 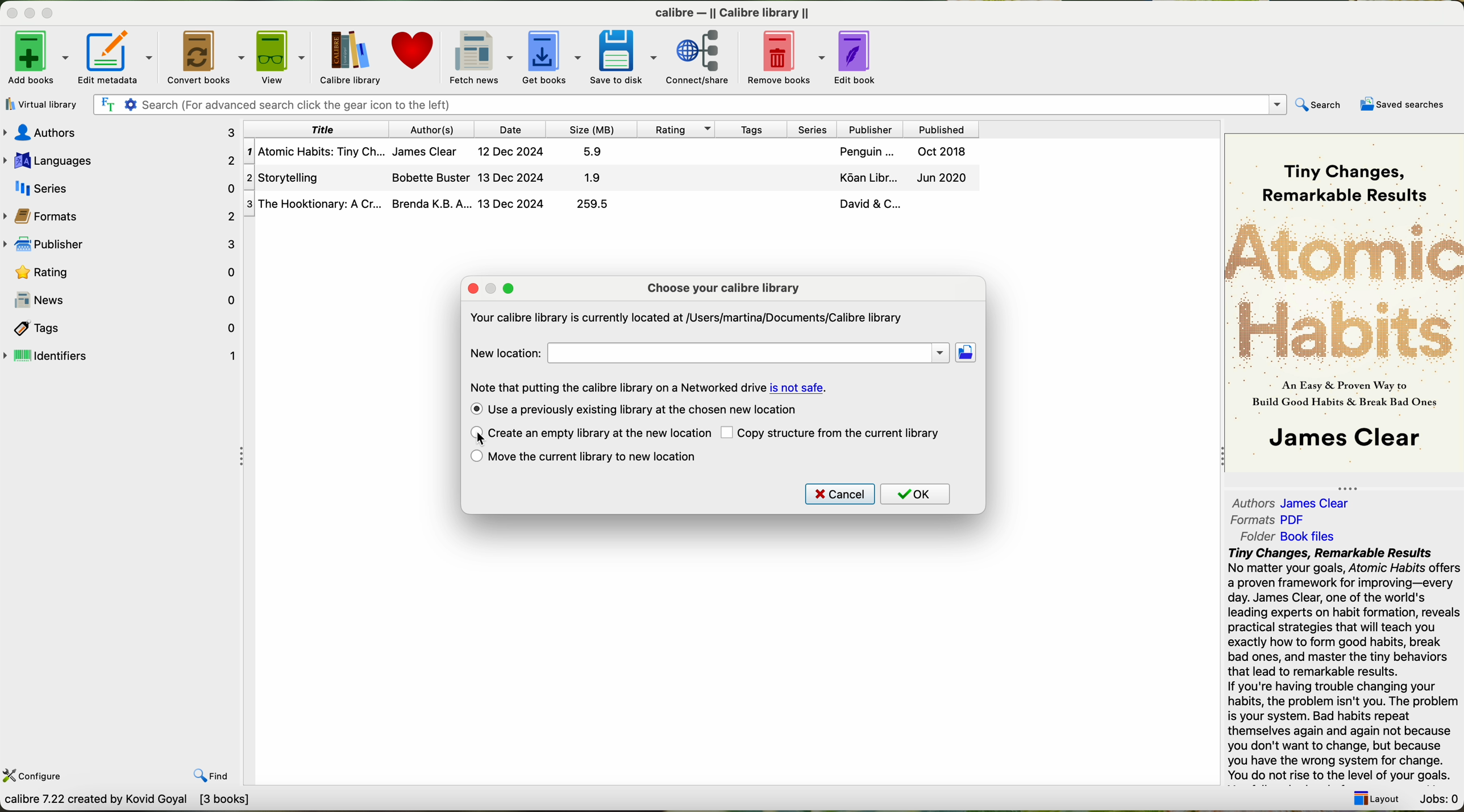 I want to click on configure, so click(x=35, y=774).